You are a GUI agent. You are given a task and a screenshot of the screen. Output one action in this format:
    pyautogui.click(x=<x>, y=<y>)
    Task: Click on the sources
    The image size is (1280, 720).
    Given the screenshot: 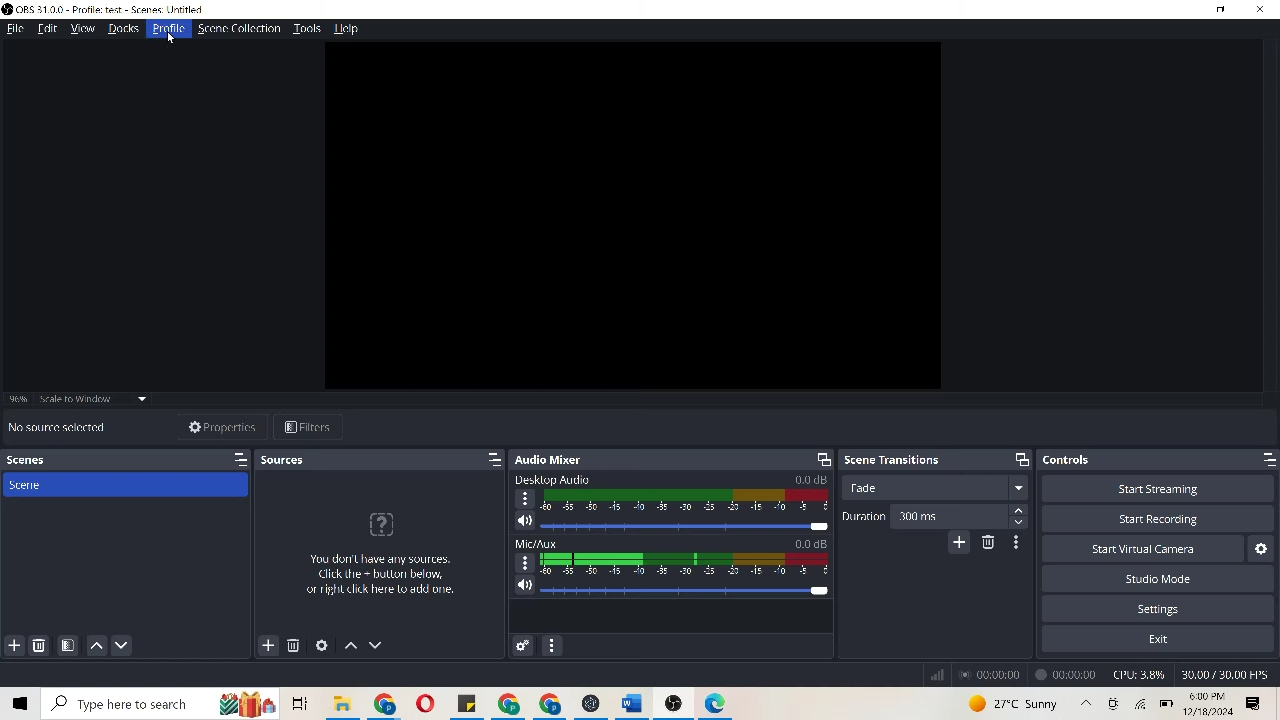 What is the action you would take?
    pyautogui.click(x=288, y=463)
    